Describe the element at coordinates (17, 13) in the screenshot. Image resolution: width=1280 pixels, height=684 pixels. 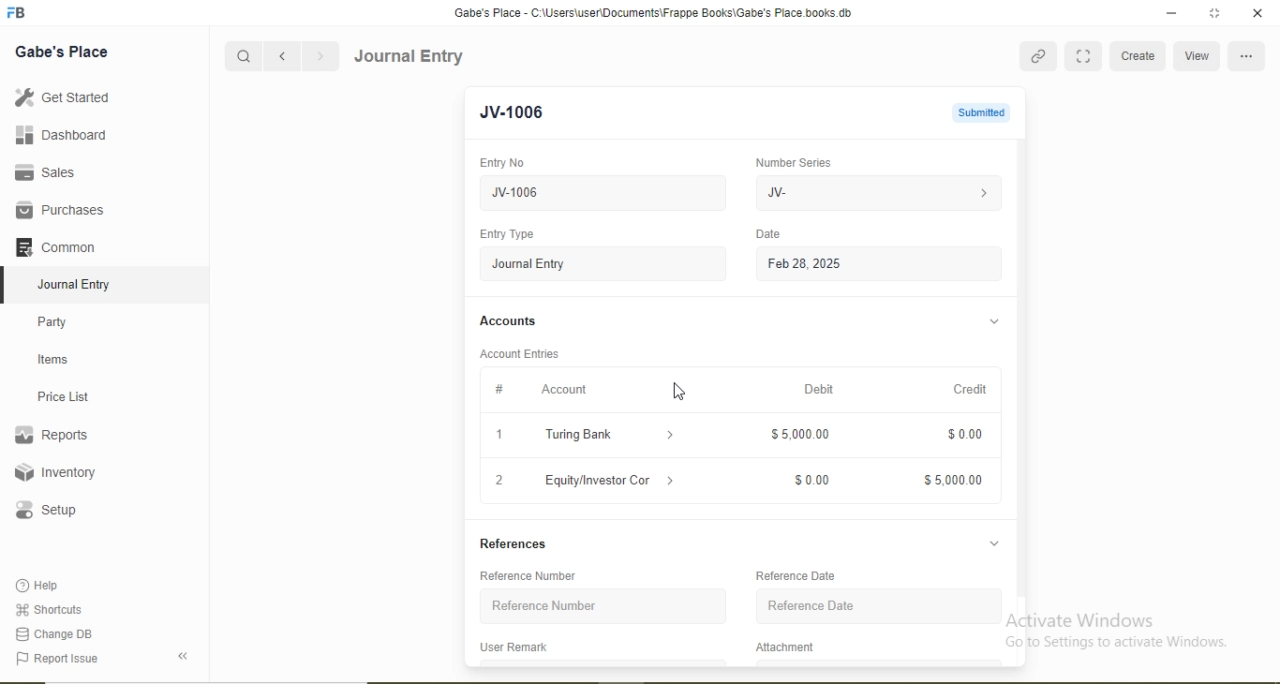
I see `Logo` at that location.